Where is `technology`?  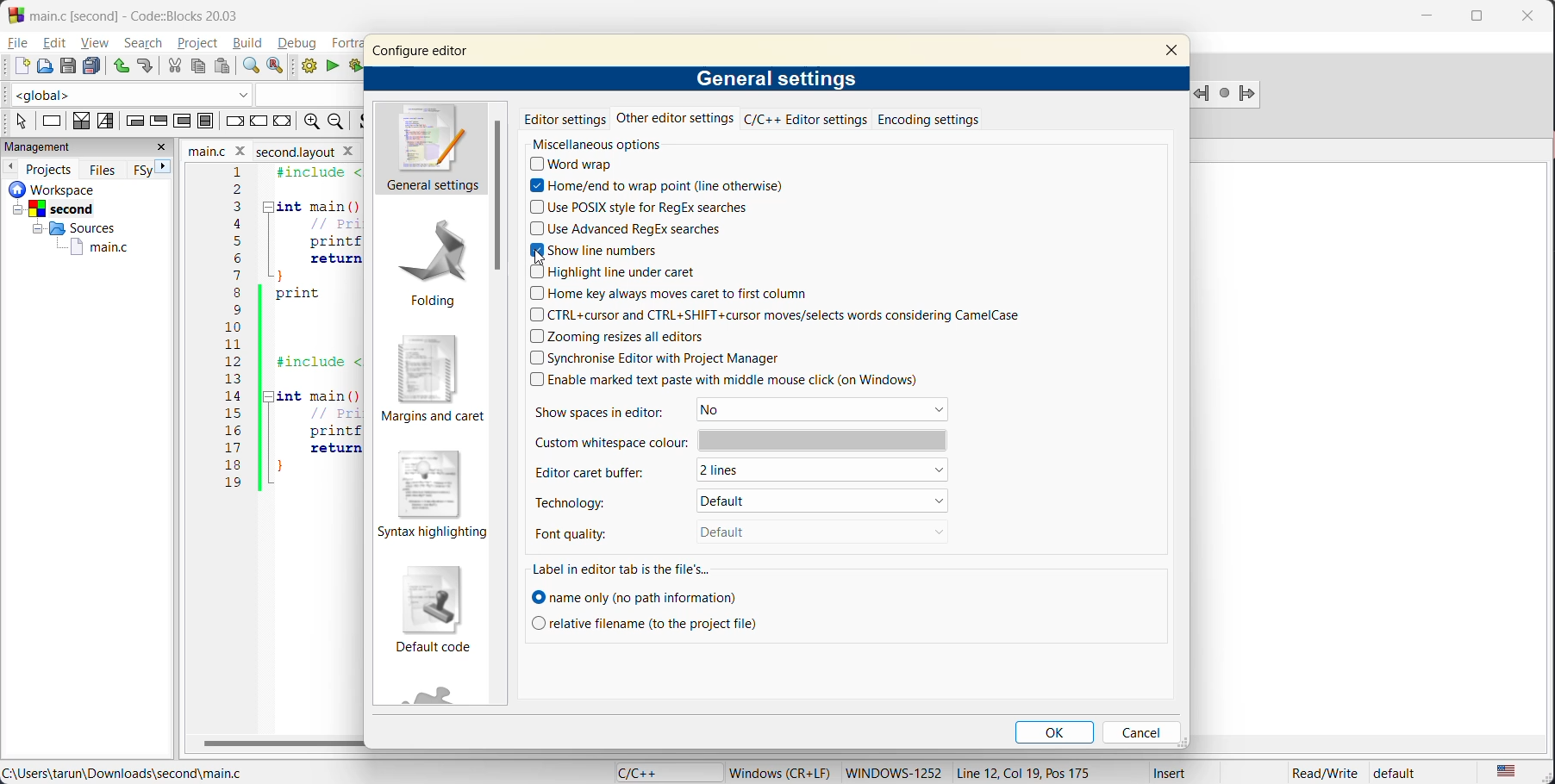 technology is located at coordinates (595, 500).